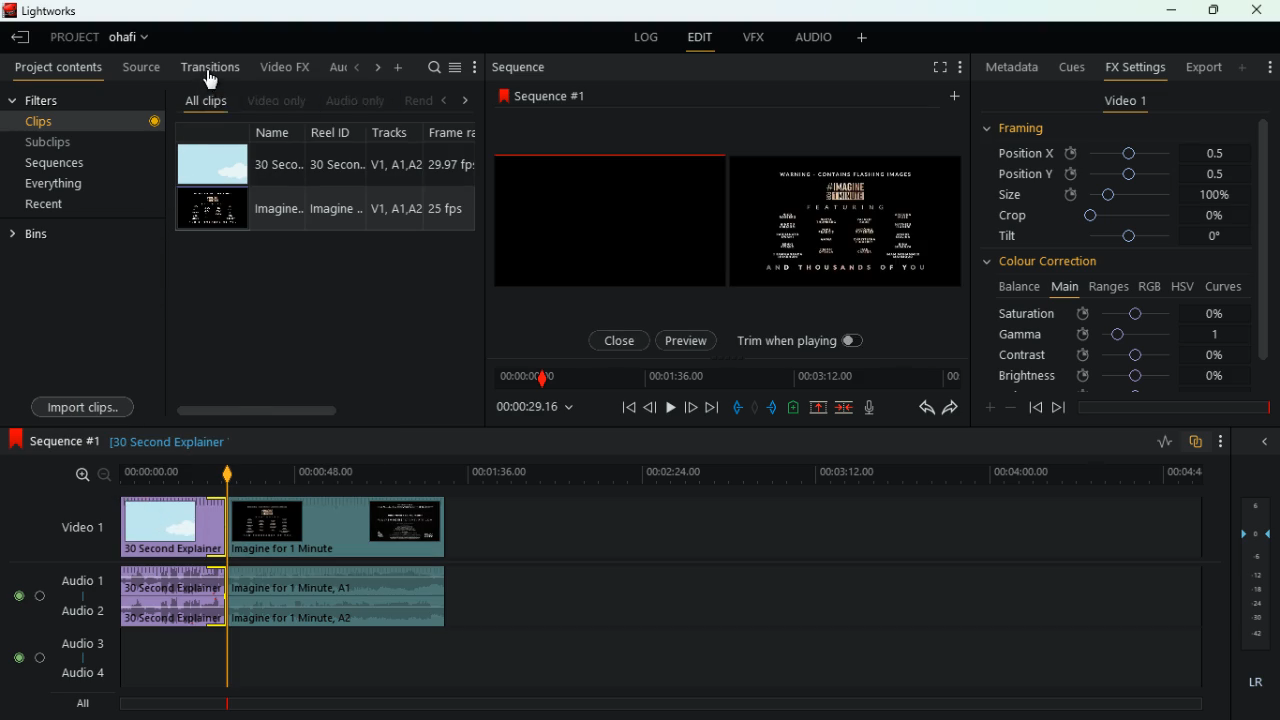  Describe the element at coordinates (1048, 261) in the screenshot. I see `colour correction` at that location.